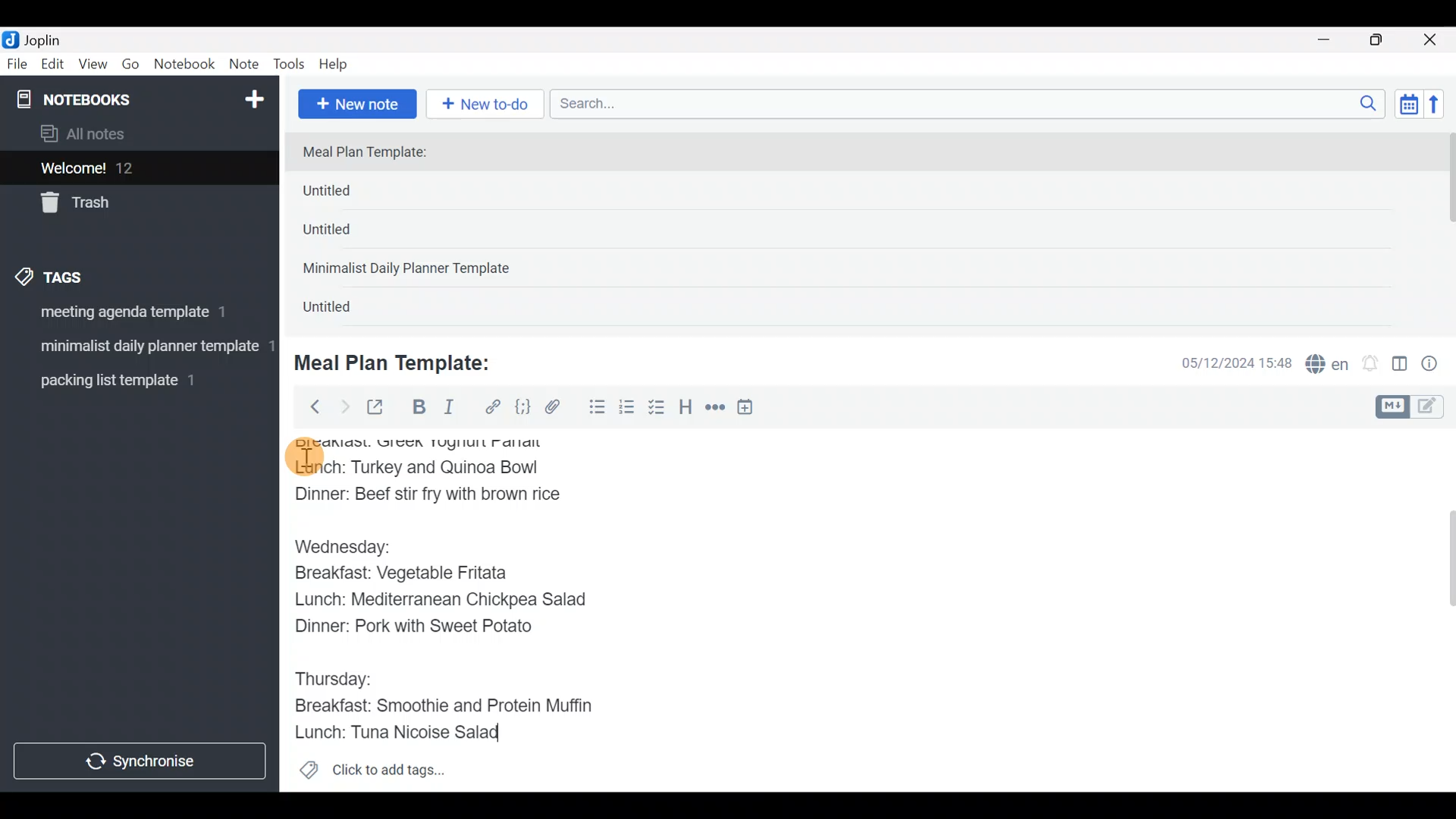  I want to click on Maximize, so click(1385, 40).